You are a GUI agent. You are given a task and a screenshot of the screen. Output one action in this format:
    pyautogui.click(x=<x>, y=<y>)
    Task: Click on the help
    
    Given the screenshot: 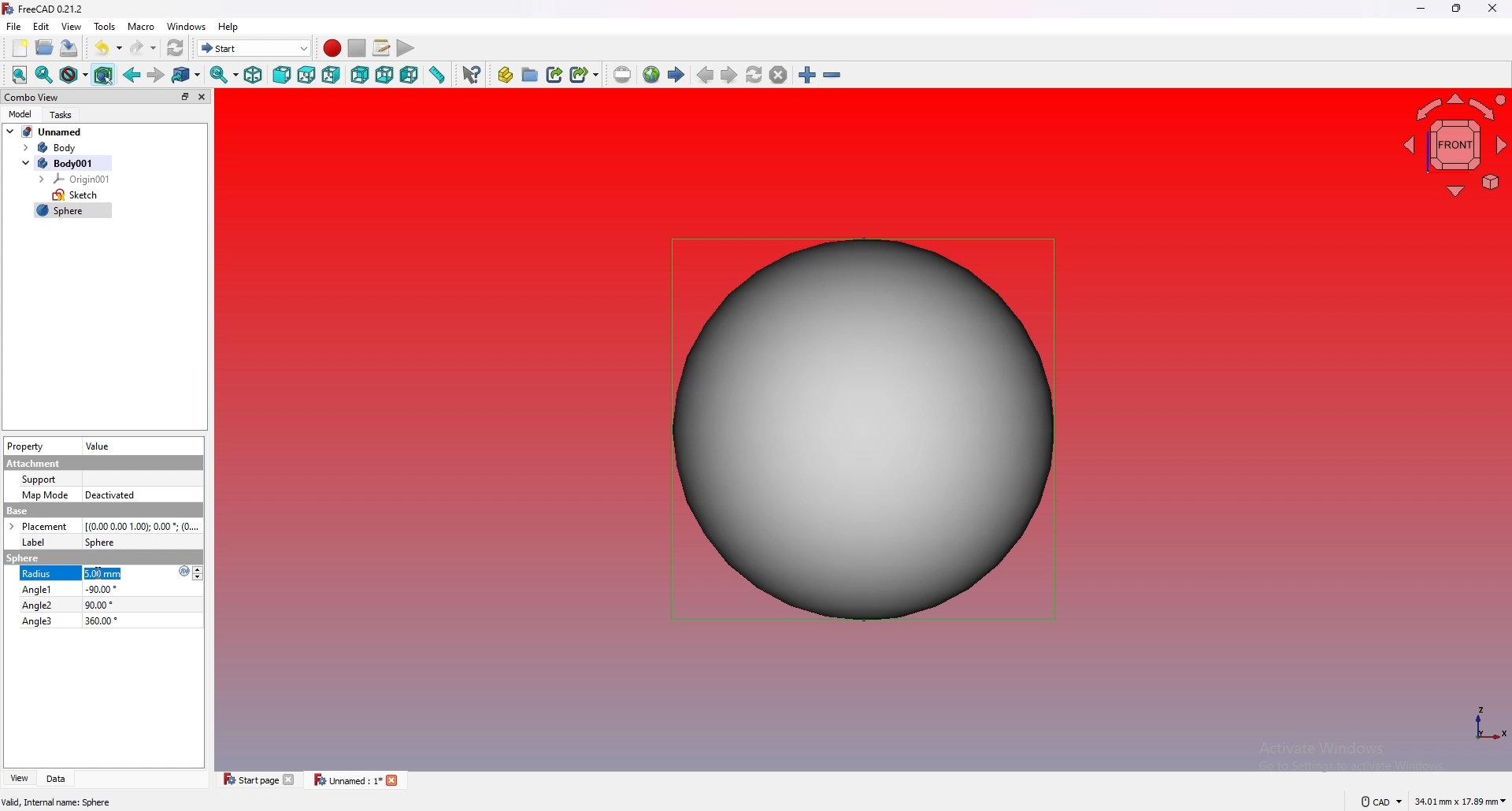 What is the action you would take?
    pyautogui.click(x=229, y=27)
    